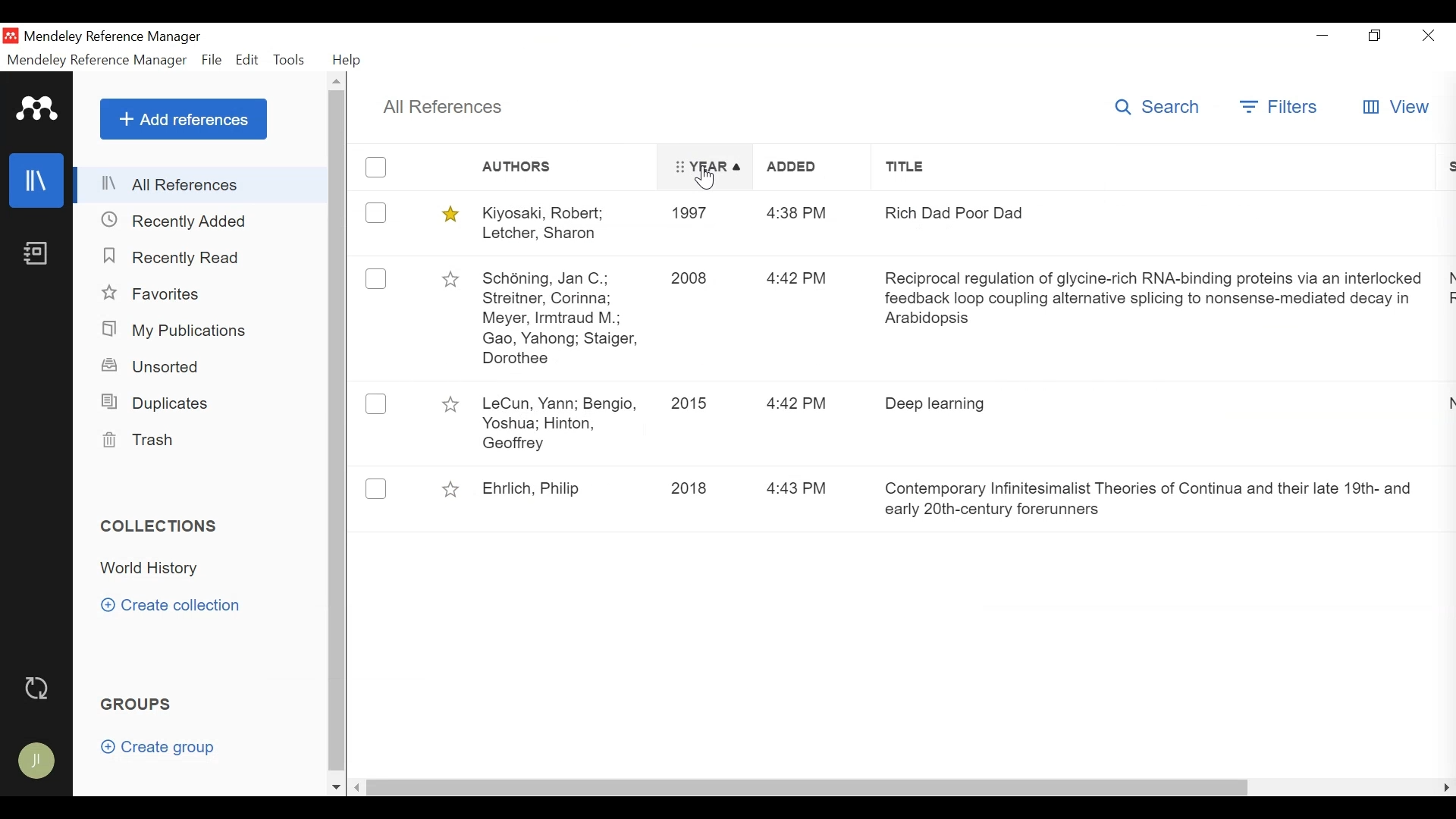 This screenshot has height=819, width=1456. Describe the element at coordinates (38, 108) in the screenshot. I see `Mendeley` at that location.